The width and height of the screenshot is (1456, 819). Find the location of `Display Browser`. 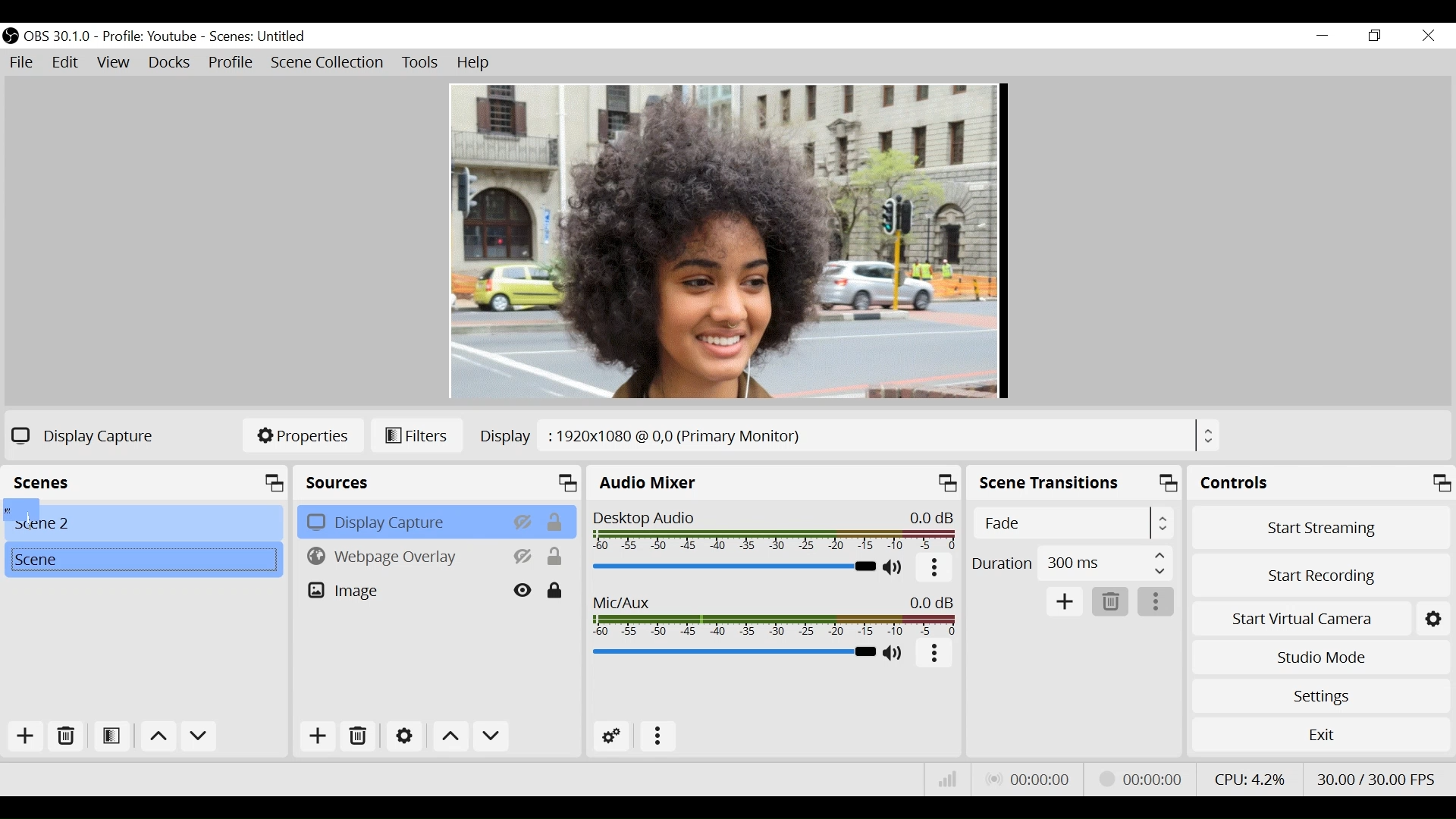

Display Browser is located at coordinates (849, 435).